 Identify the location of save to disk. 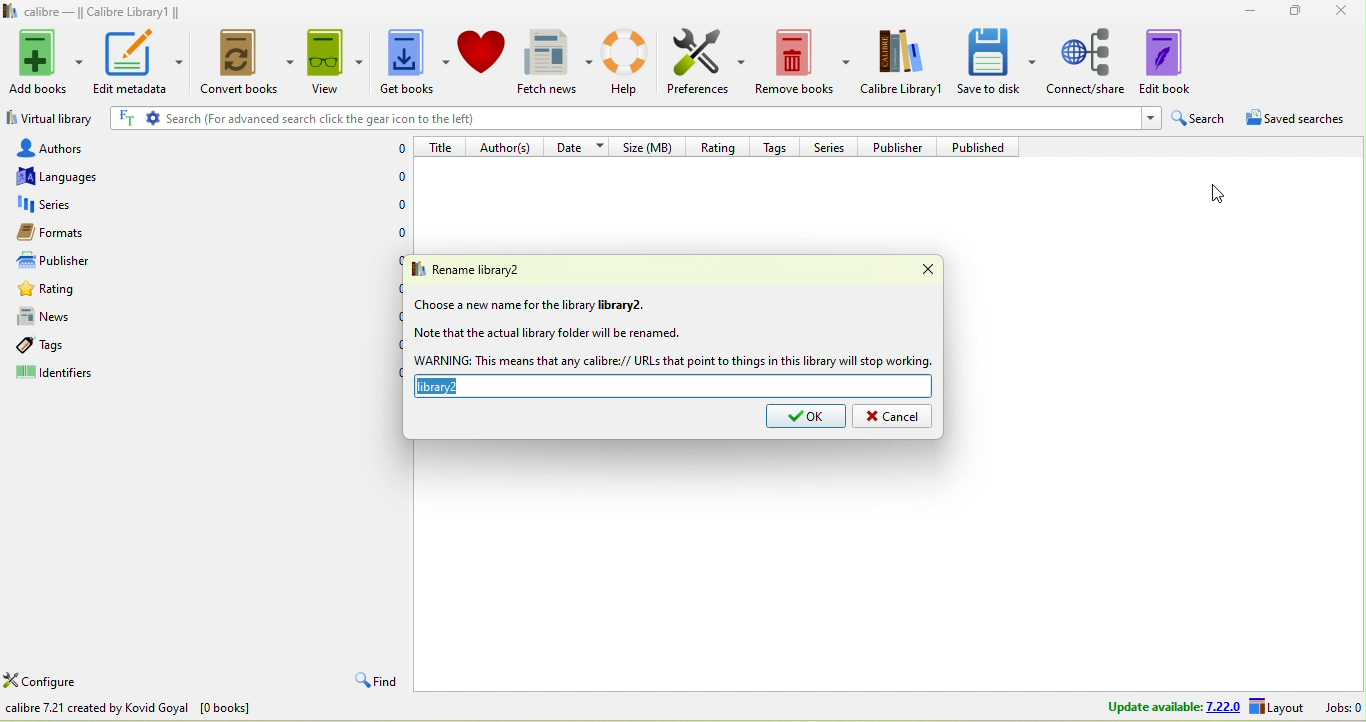
(997, 60).